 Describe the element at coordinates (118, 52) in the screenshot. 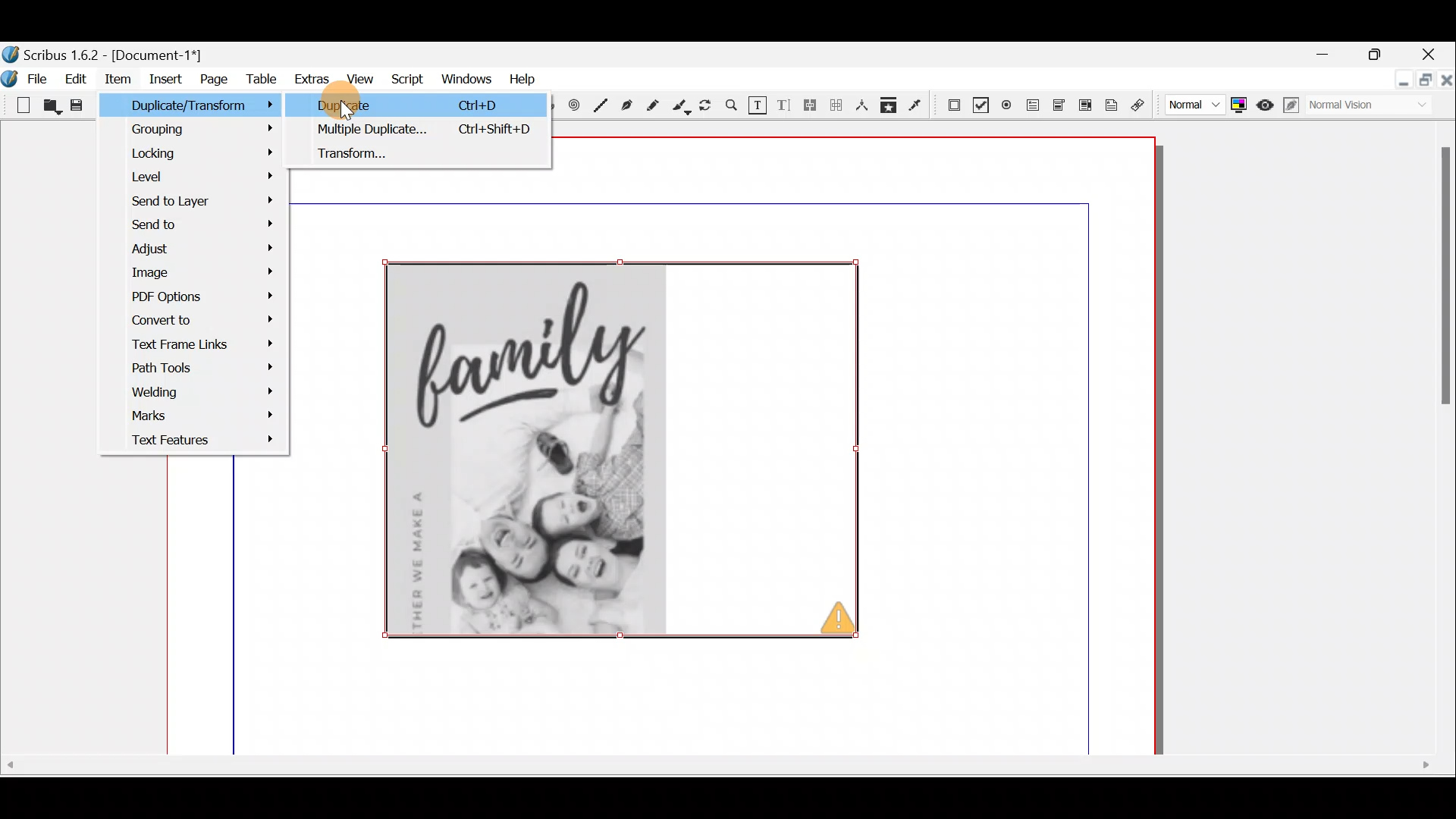

I see `Document name` at that location.